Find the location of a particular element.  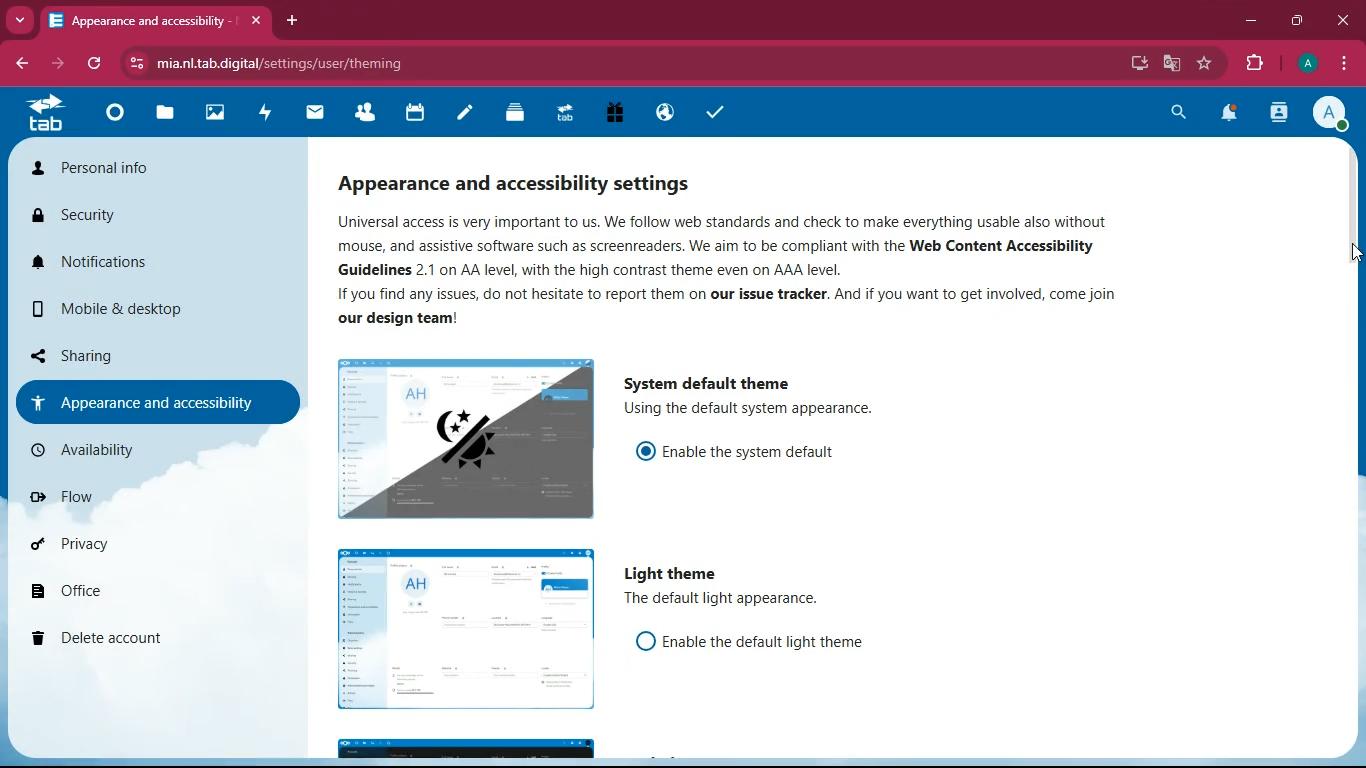

tab is located at coordinates (571, 114).